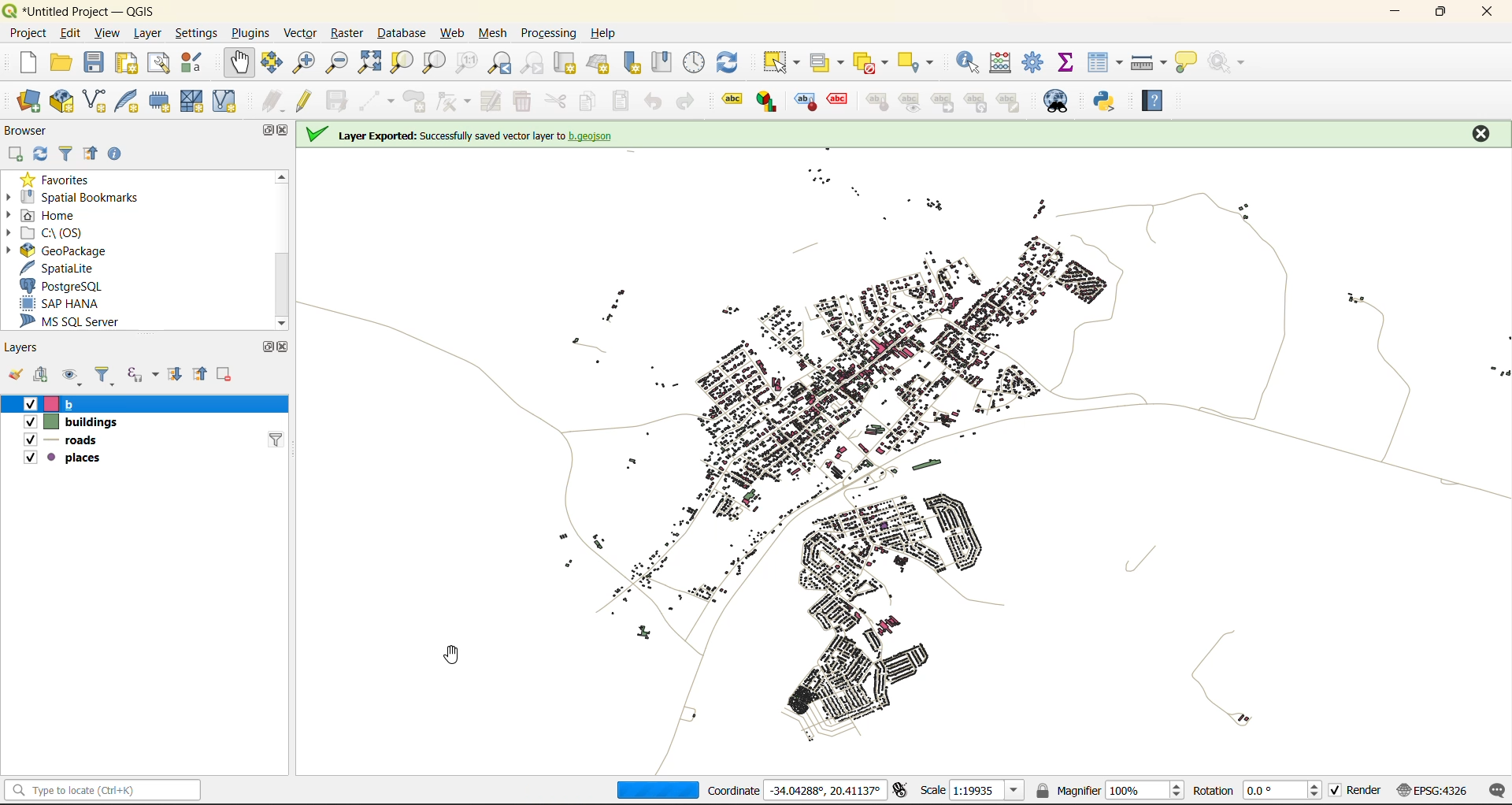 The image size is (1512, 805). I want to click on save, so click(94, 65).